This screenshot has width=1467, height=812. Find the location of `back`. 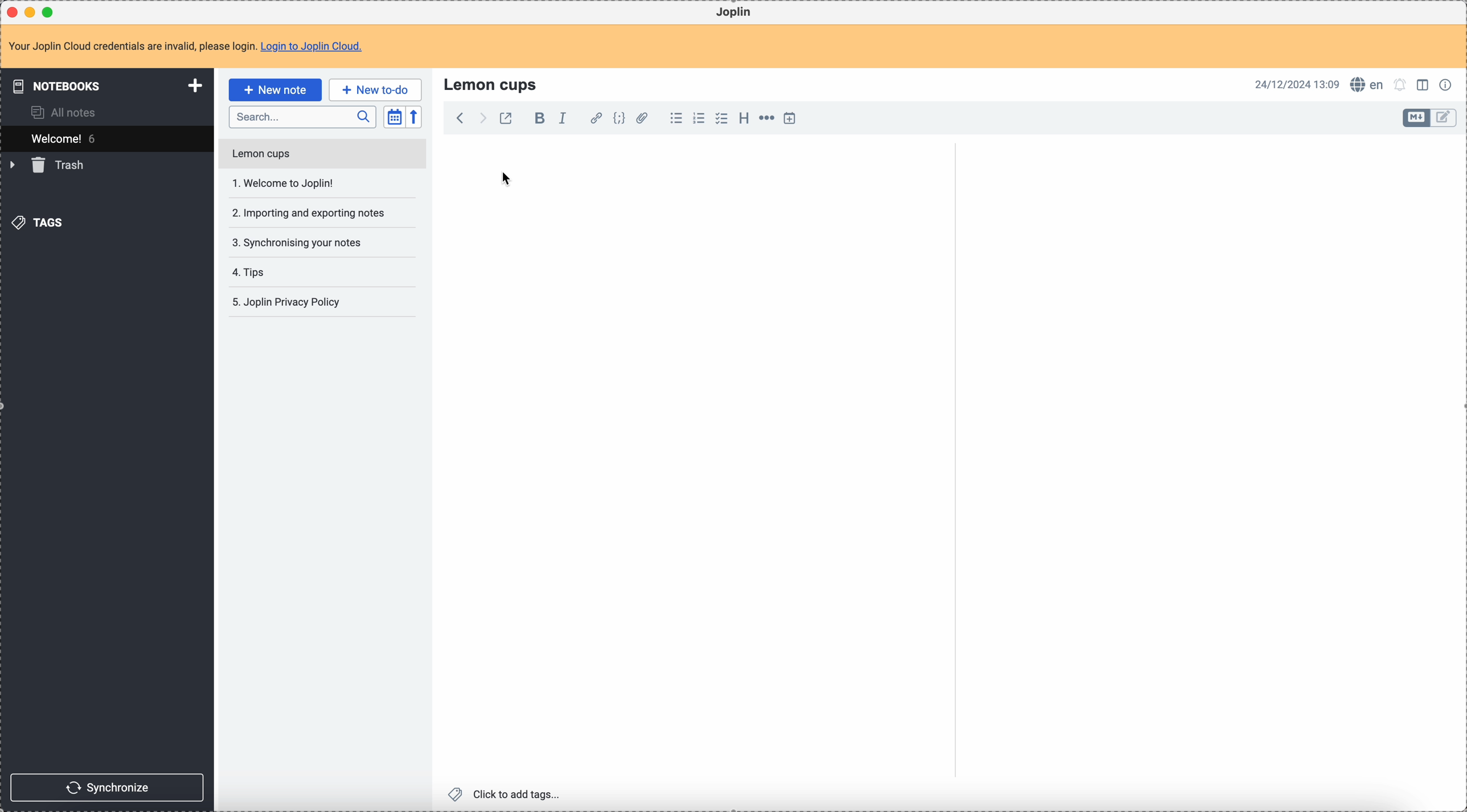

back is located at coordinates (460, 118).